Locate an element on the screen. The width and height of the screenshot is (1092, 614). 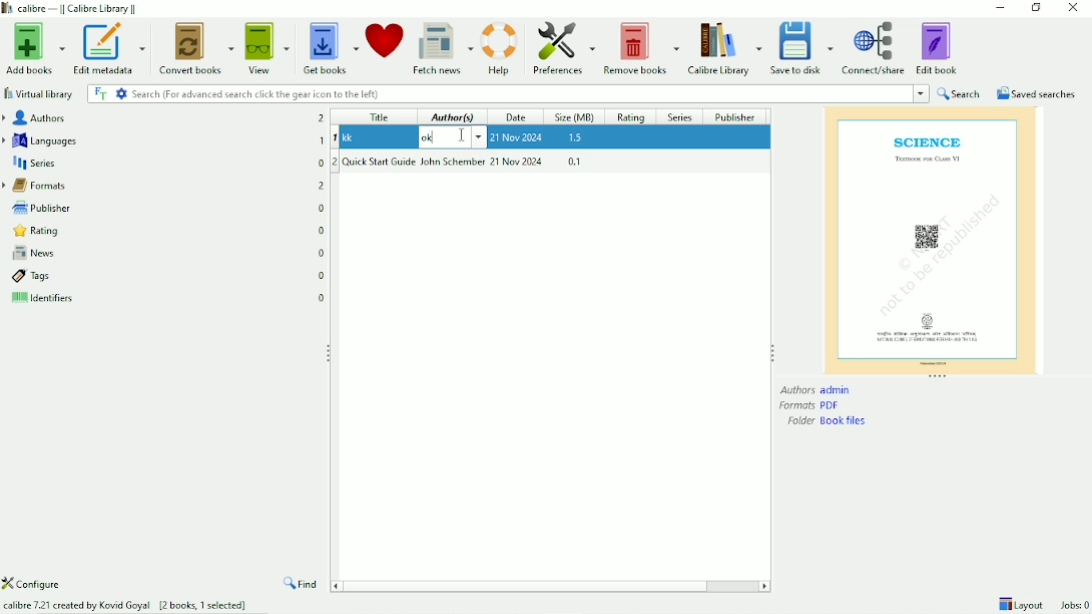
Help is located at coordinates (500, 49).